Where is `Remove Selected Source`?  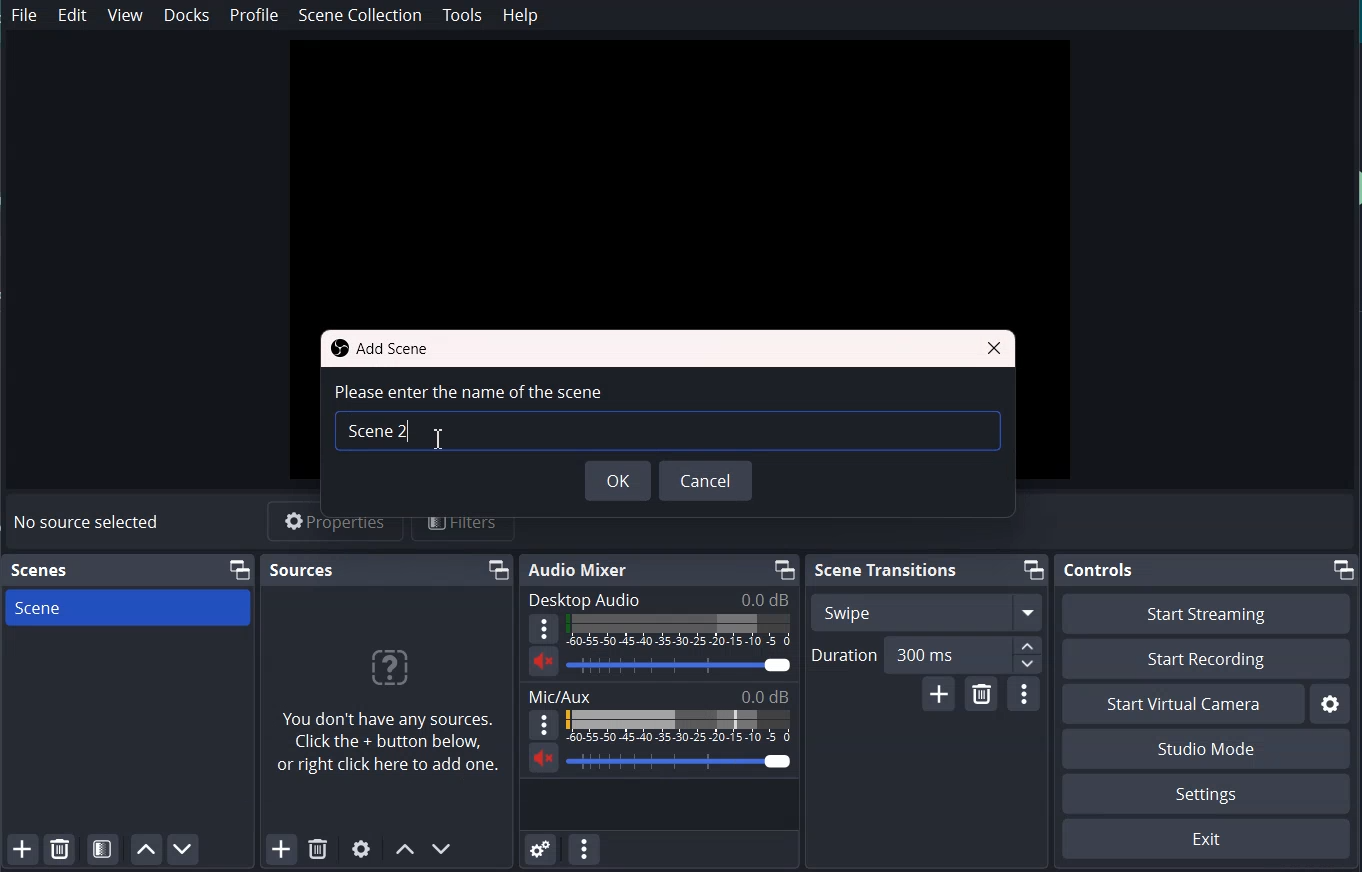
Remove Selected Source is located at coordinates (317, 850).